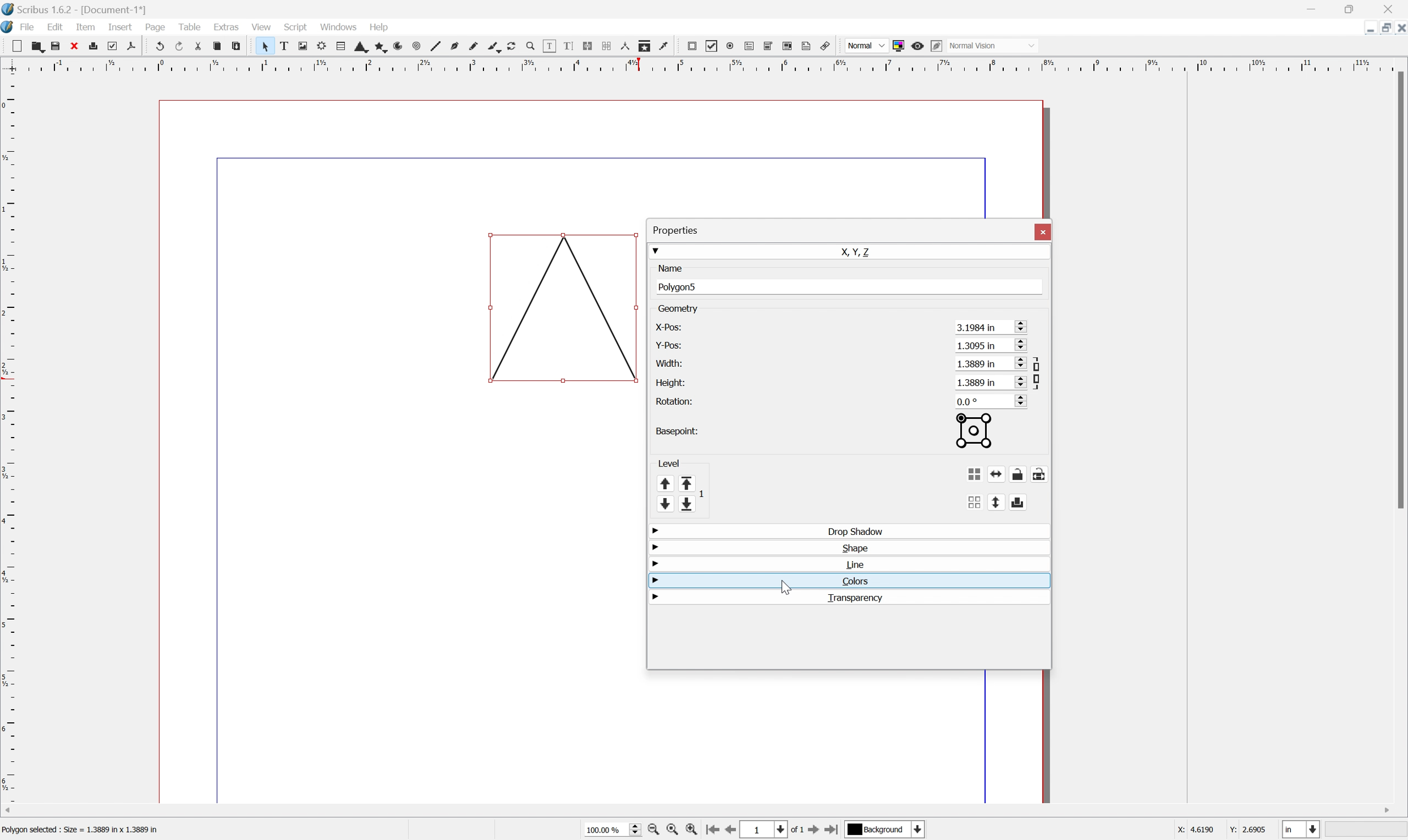 Image resolution: width=1408 pixels, height=840 pixels. What do you see at coordinates (112, 46) in the screenshot?
I see `Preflight verifier` at bounding box center [112, 46].